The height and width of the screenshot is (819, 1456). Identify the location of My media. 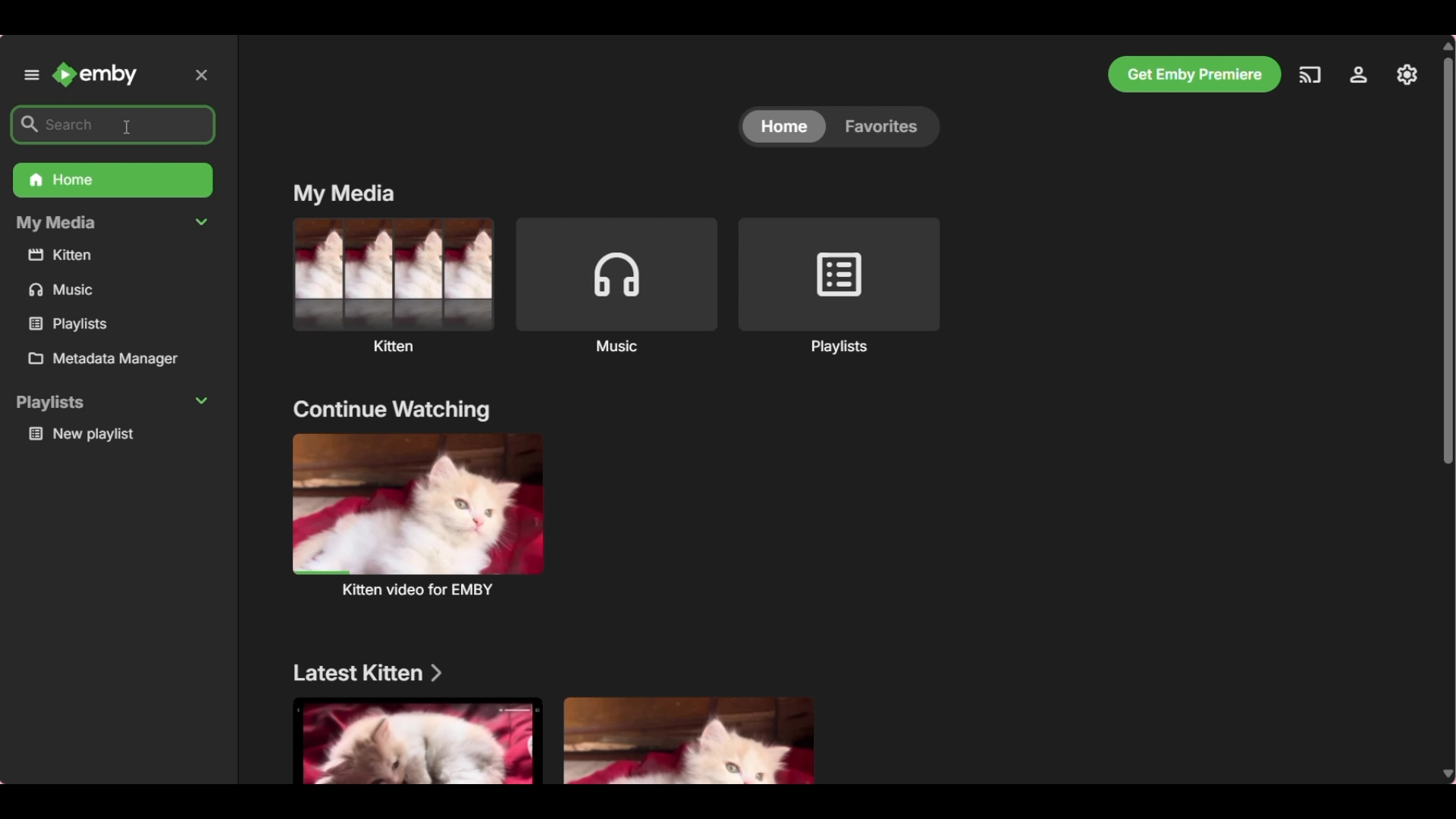
(349, 192).